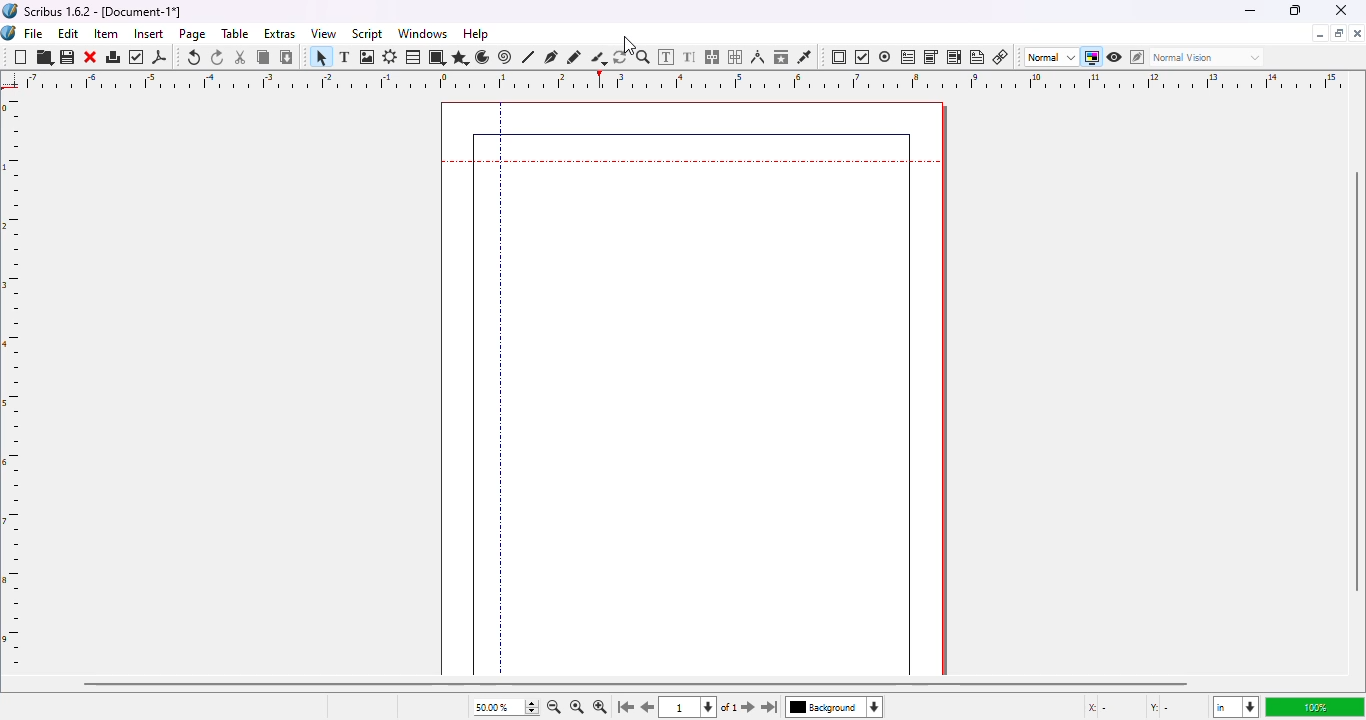 Image resolution: width=1366 pixels, height=720 pixels. Describe the element at coordinates (1137, 57) in the screenshot. I see `edit in preview mode` at that location.